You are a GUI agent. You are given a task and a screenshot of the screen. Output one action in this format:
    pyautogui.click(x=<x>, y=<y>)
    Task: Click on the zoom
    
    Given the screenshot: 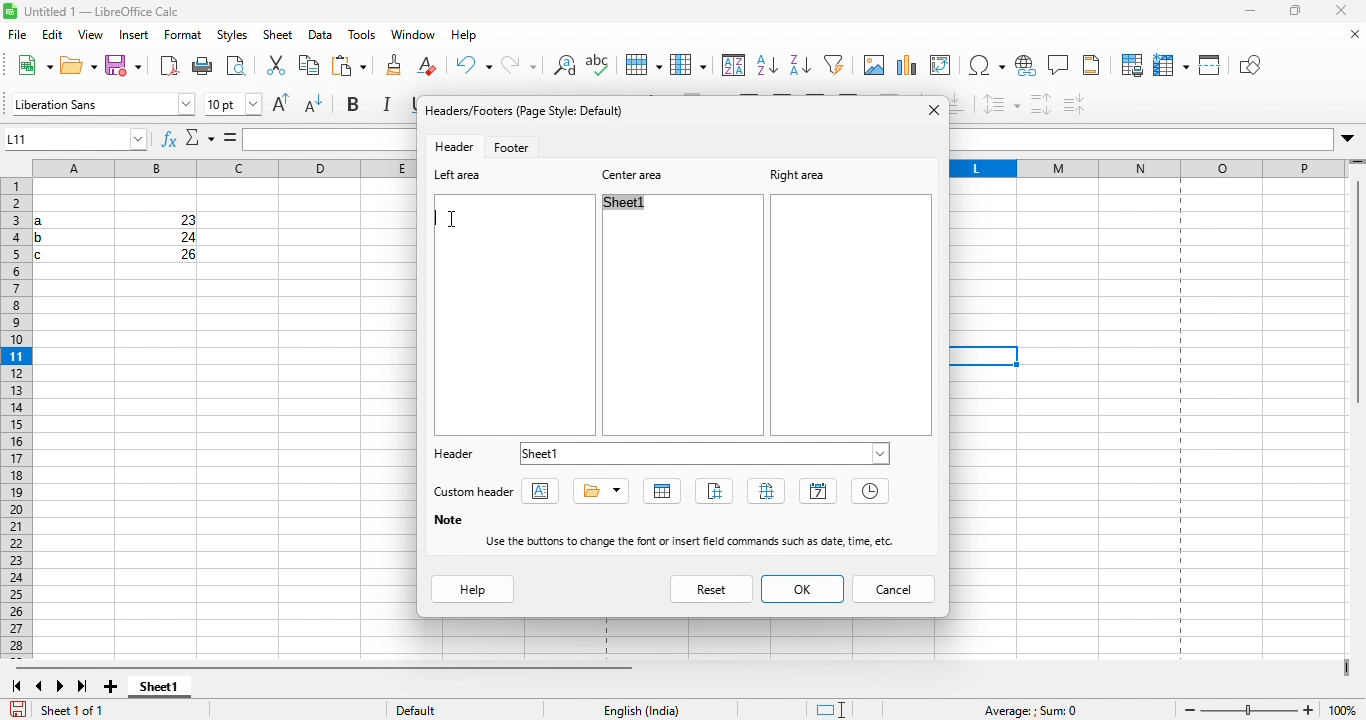 What is the action you would take?
    pyautogui.click(x=1252, y=707)
    